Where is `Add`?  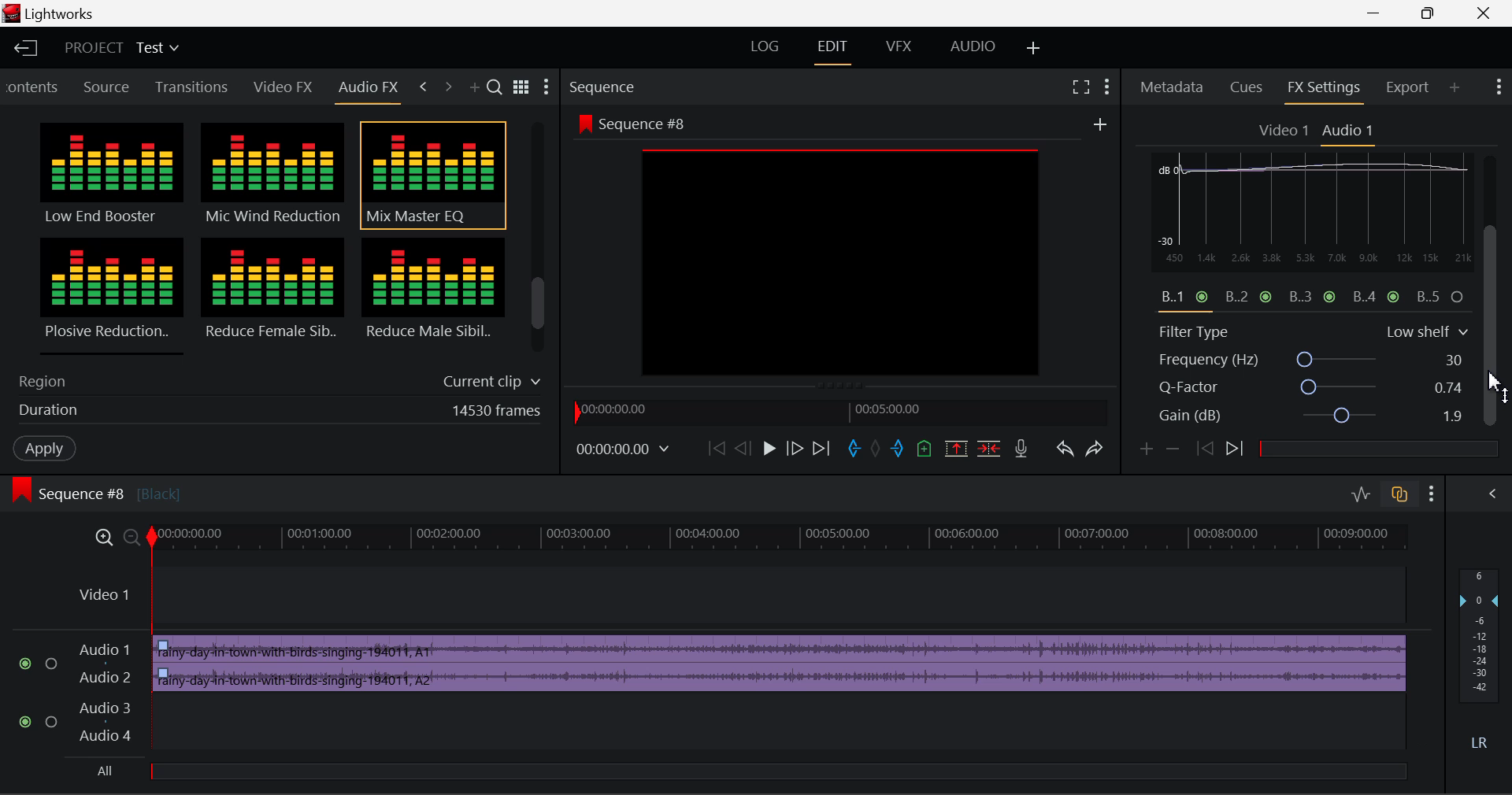 Add is located at coordinates (1100, 125).